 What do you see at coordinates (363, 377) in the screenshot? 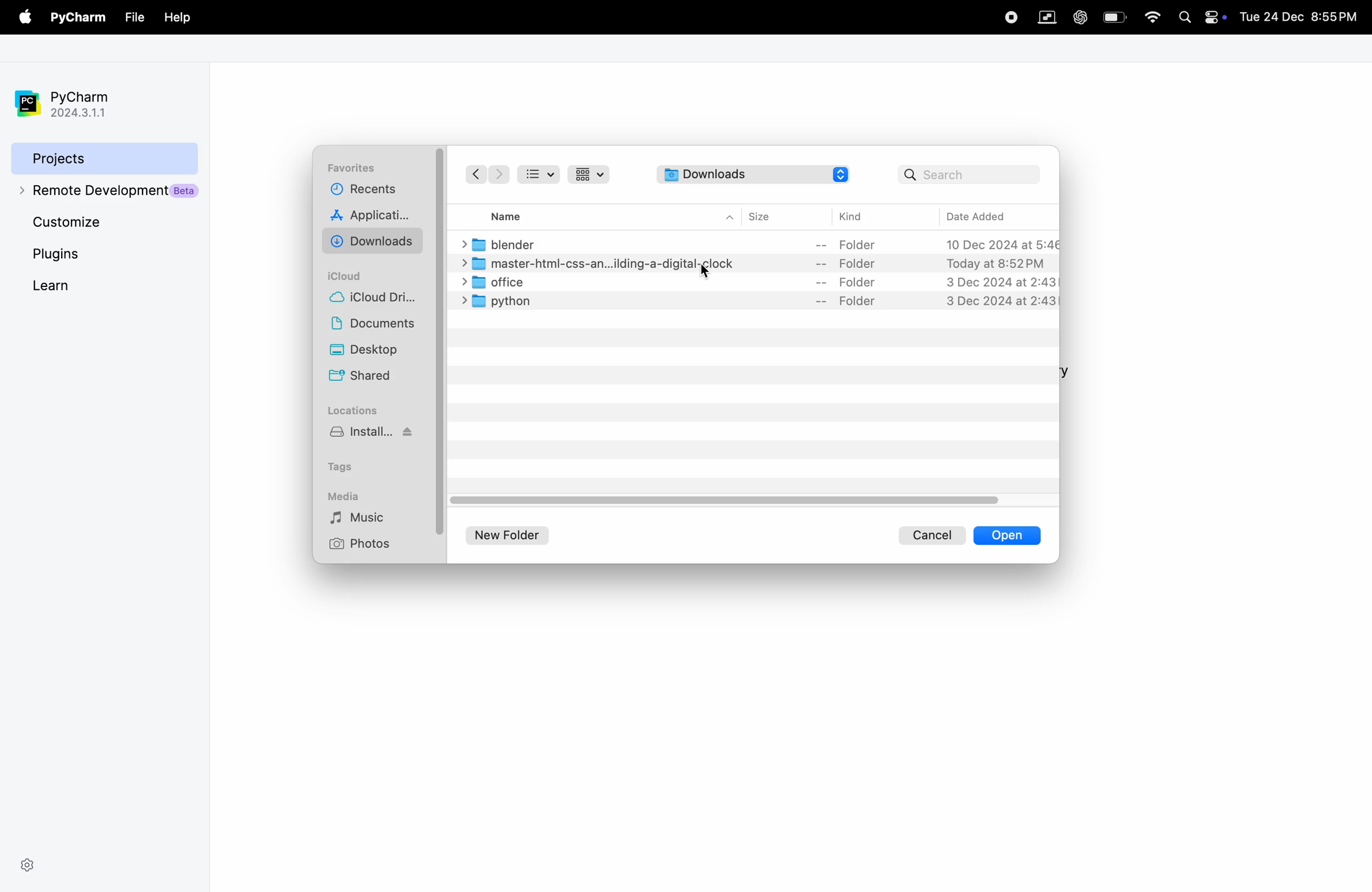
I see `shared` at bounding box center [363, 377].